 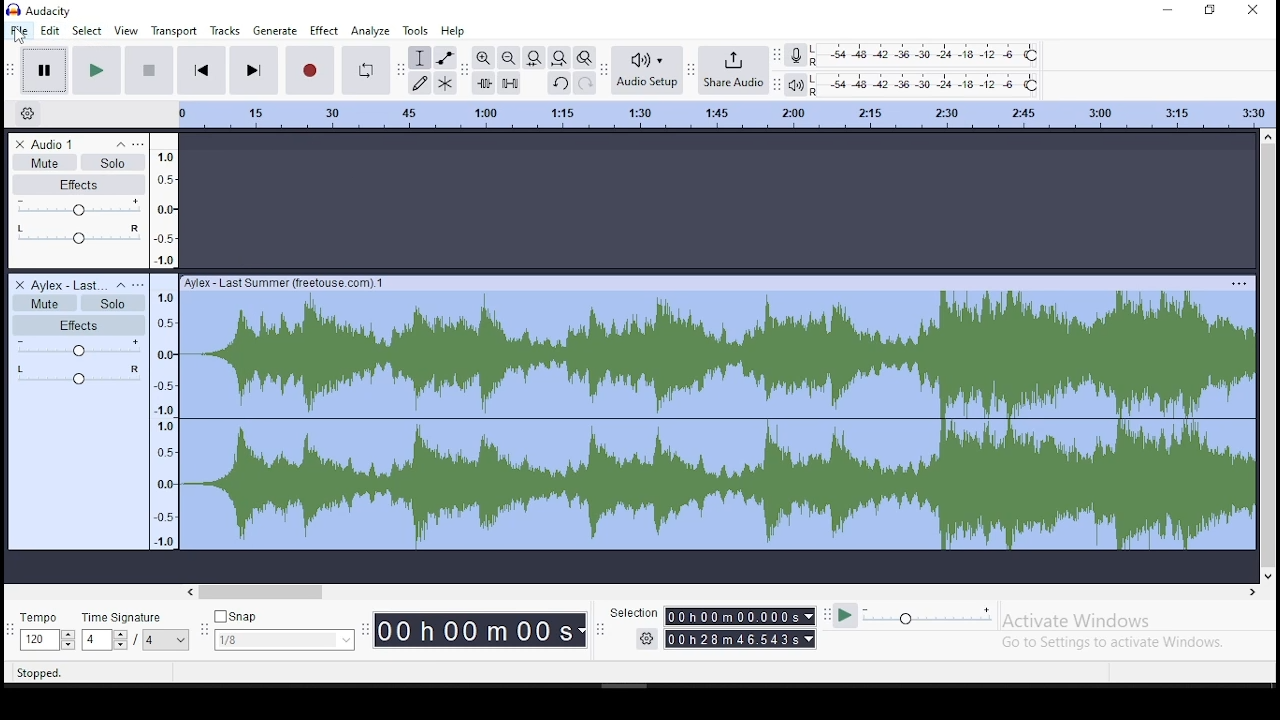 What do you see at coordinates (419, 82) in the screenshot?
I see `draw tool` at bounding box center [419, 82].